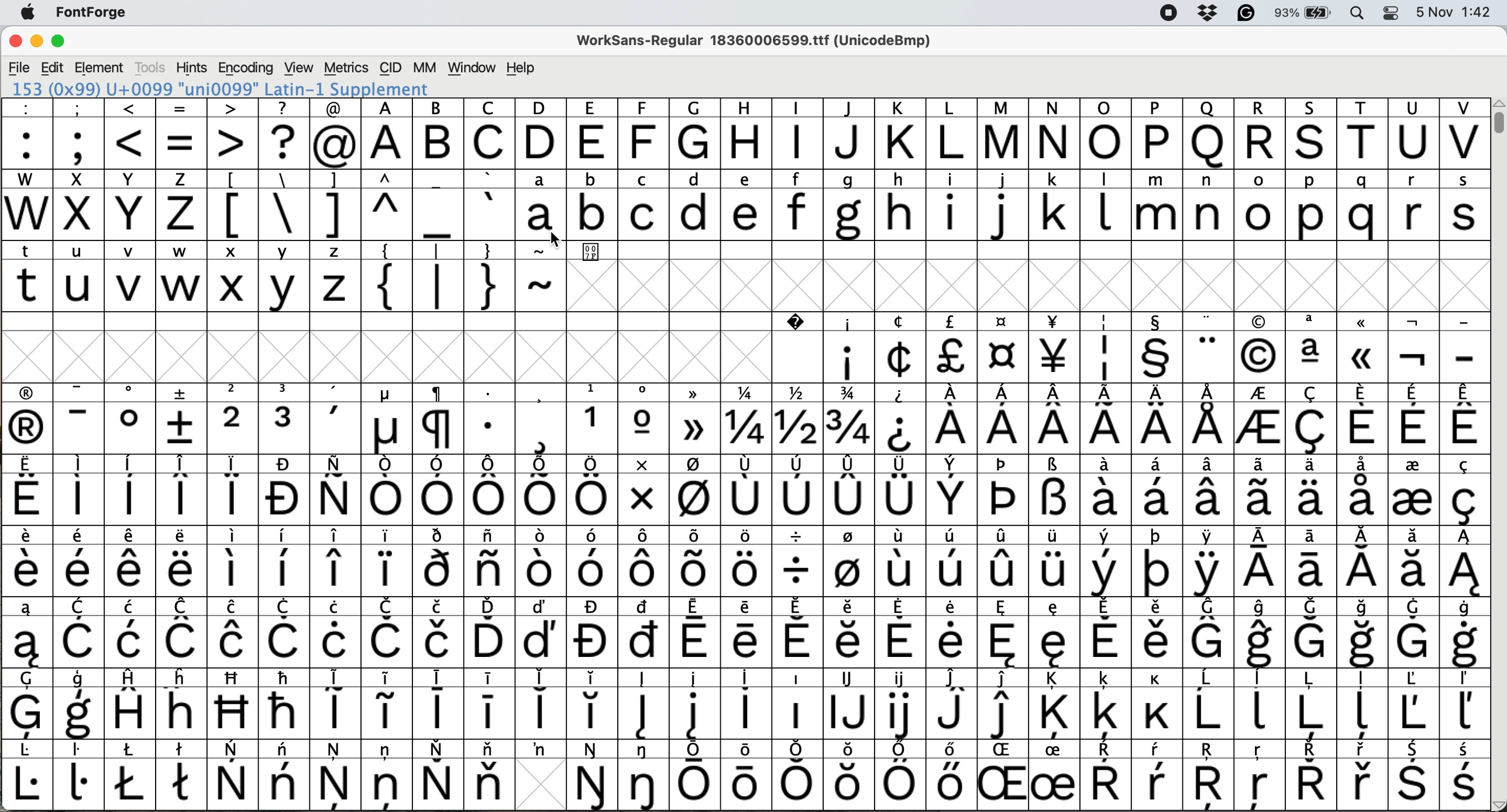  Describe the element at coordinates (489, 205) in the screenshot. I see ``` at that location.